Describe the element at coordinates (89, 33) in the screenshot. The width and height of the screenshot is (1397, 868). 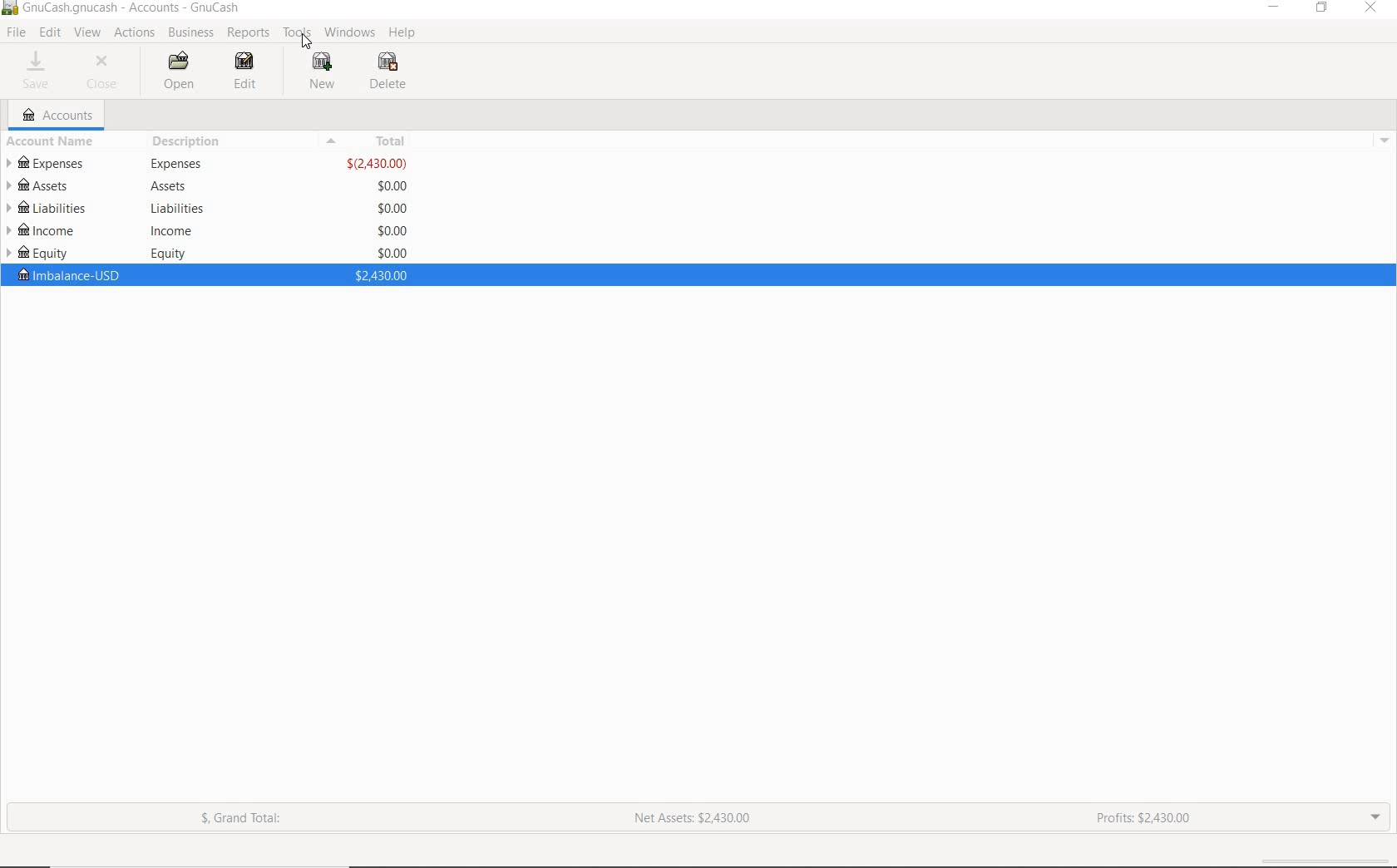
I see `VIEW` at that location.